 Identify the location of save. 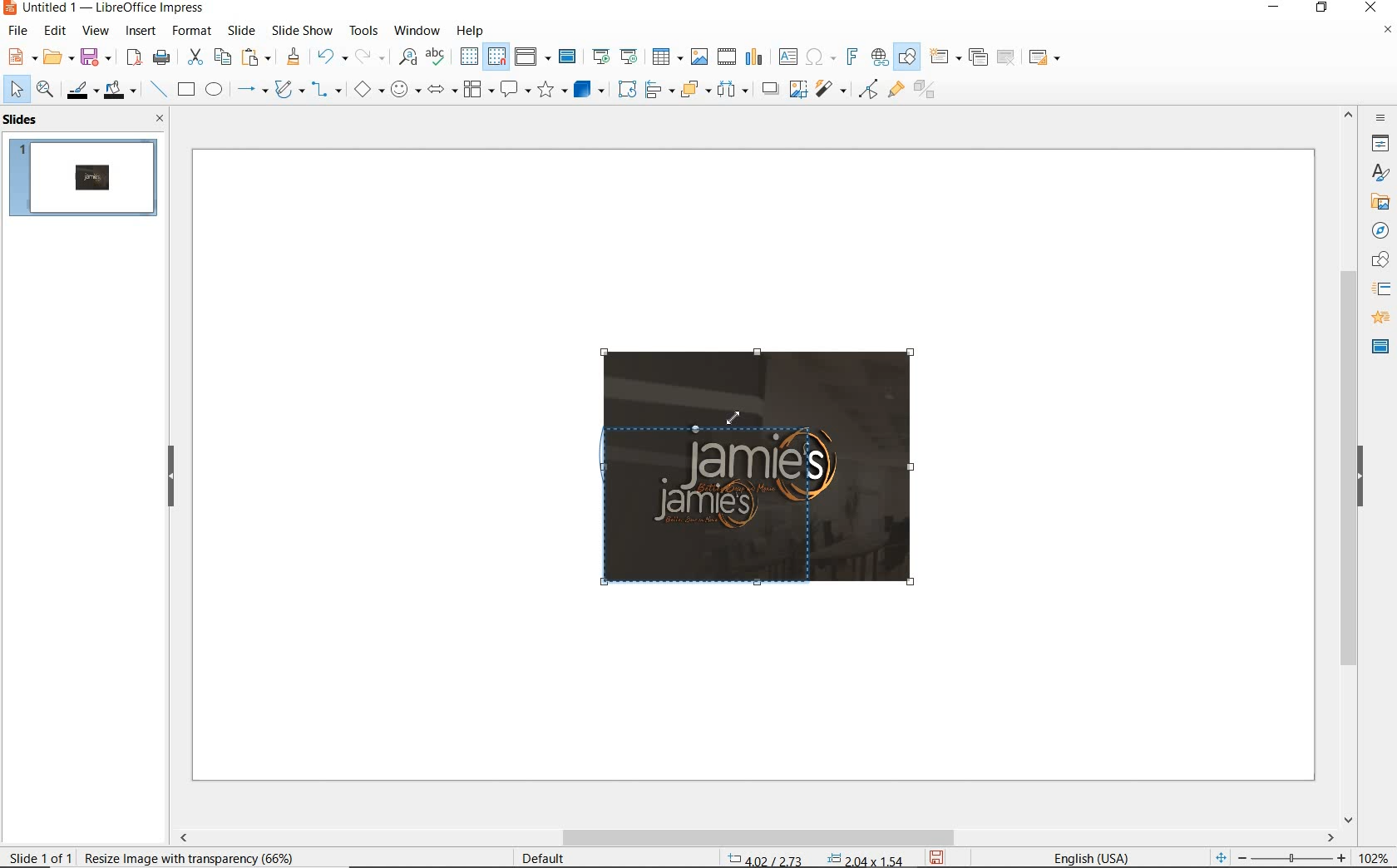
(96, 56).